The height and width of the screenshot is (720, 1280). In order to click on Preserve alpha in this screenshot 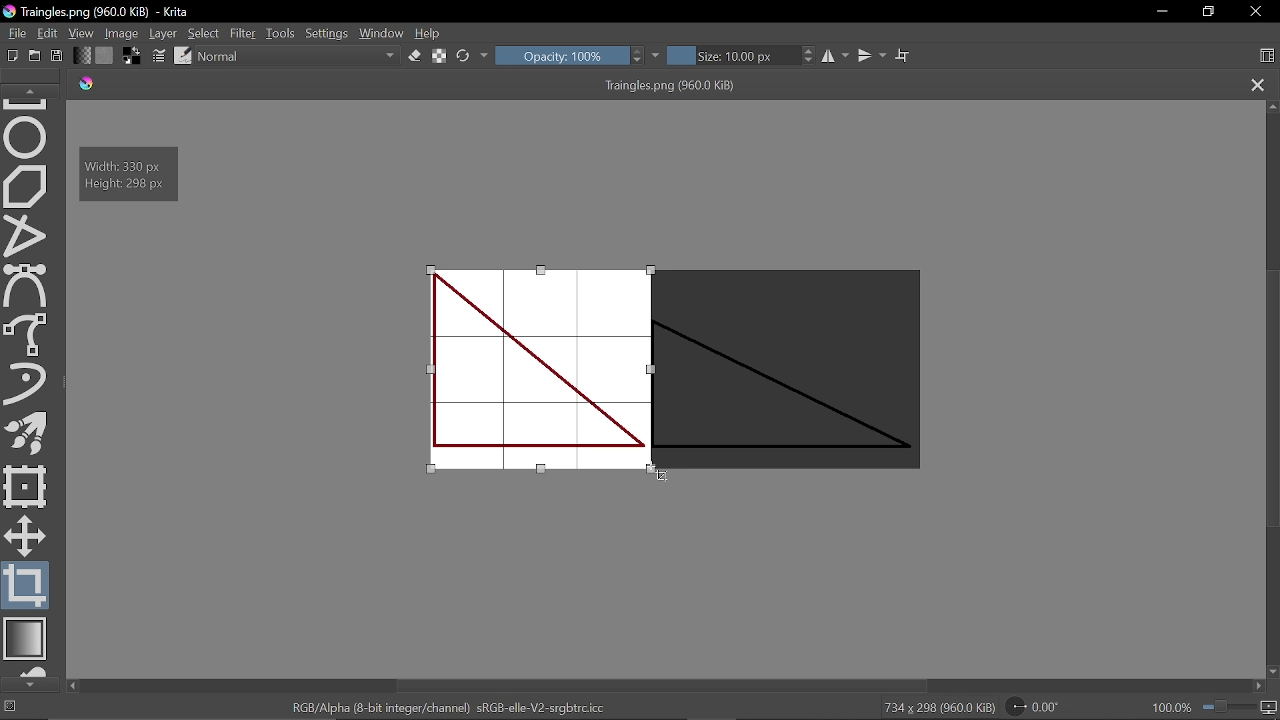, I will do `click(439, 57)`.